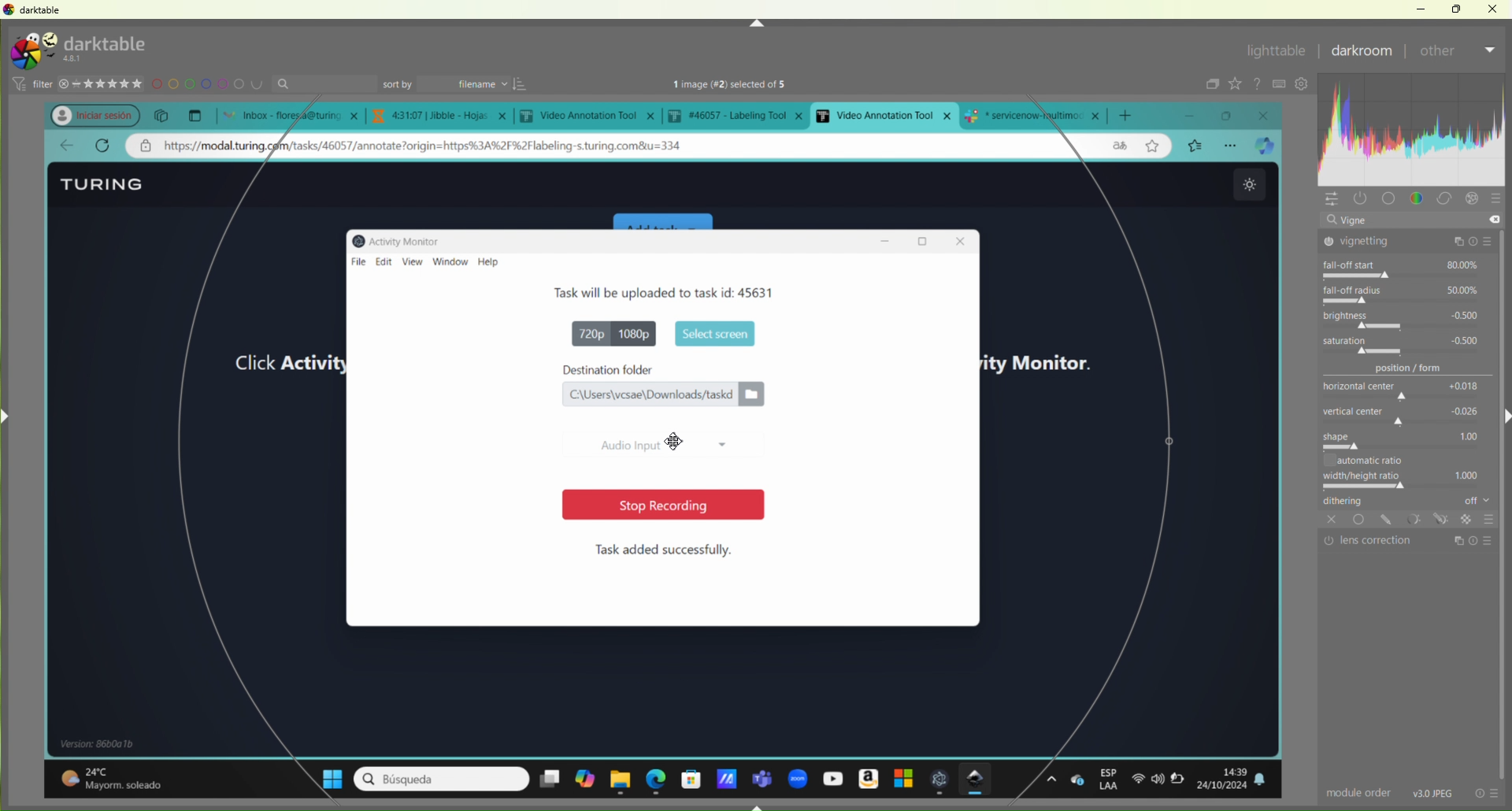 This screenshot has width=1512, height=811. What do you see at coordinates (619, 292) in the screenshot?
I see `Task details` at bounding box center [619, 292].